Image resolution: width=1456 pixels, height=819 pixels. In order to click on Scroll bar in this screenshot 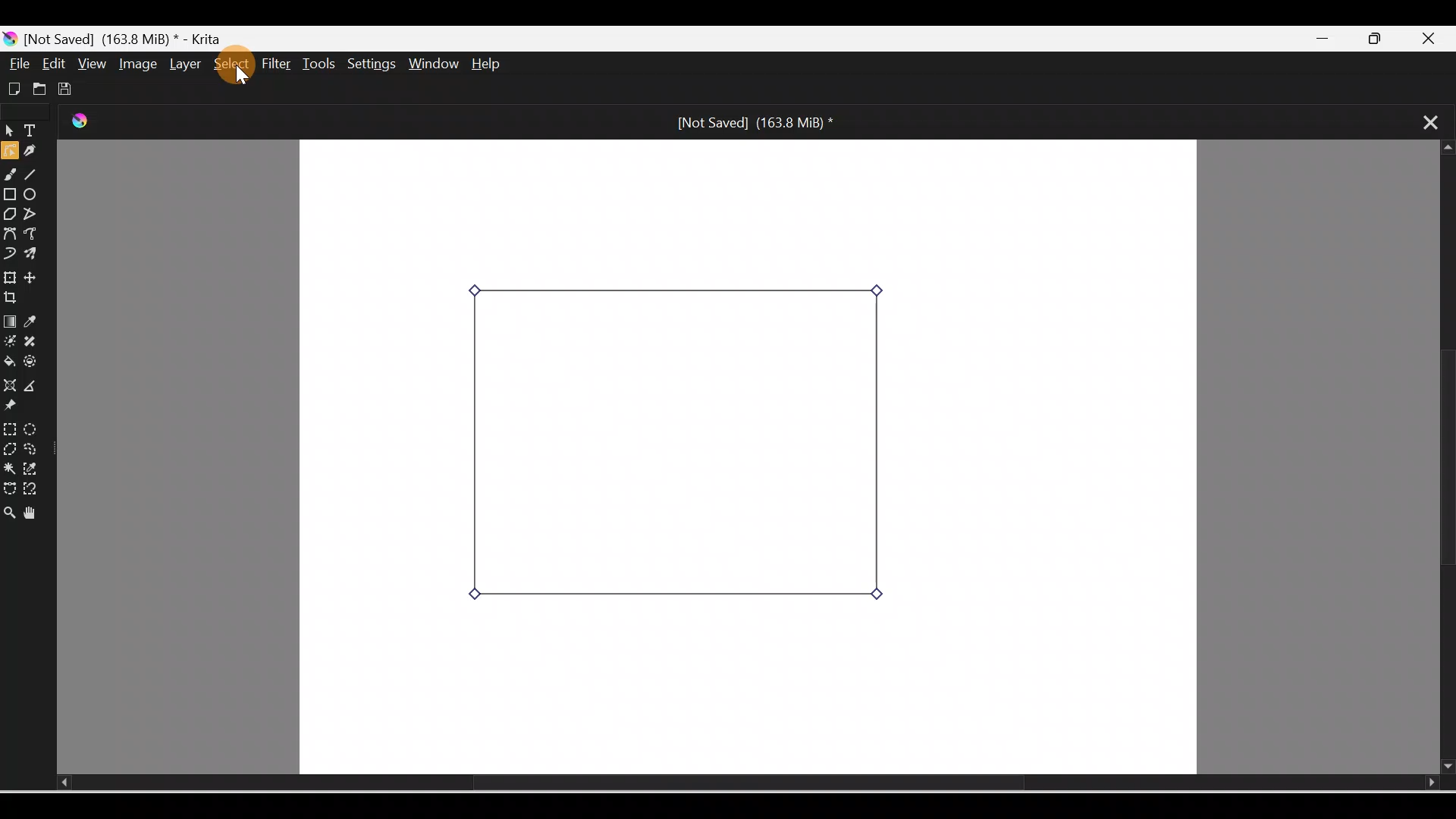, I will do `click(1442, 458)`.